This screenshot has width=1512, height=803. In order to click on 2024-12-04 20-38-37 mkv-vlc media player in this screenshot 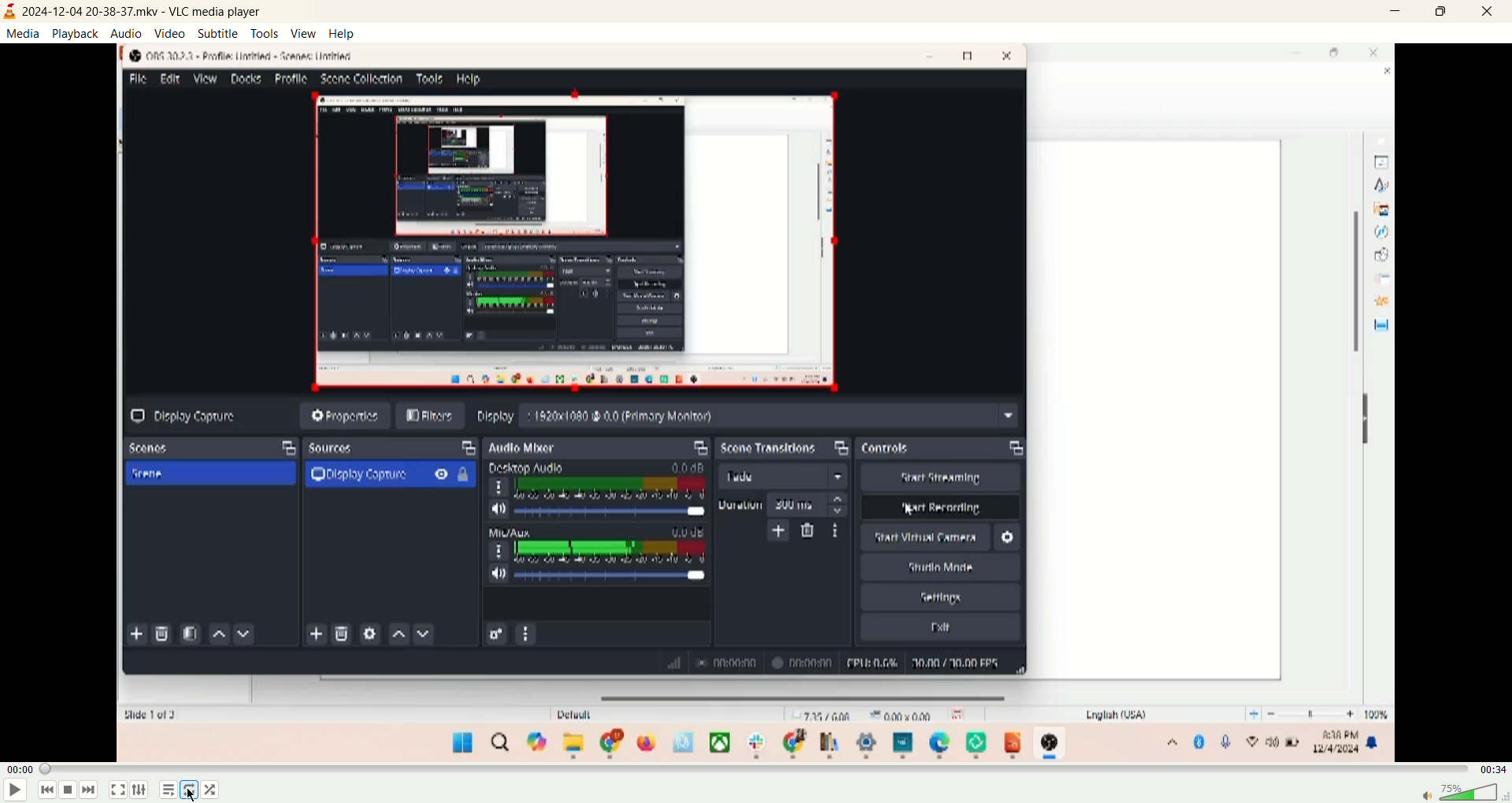, I will do `click(155, 13)`.